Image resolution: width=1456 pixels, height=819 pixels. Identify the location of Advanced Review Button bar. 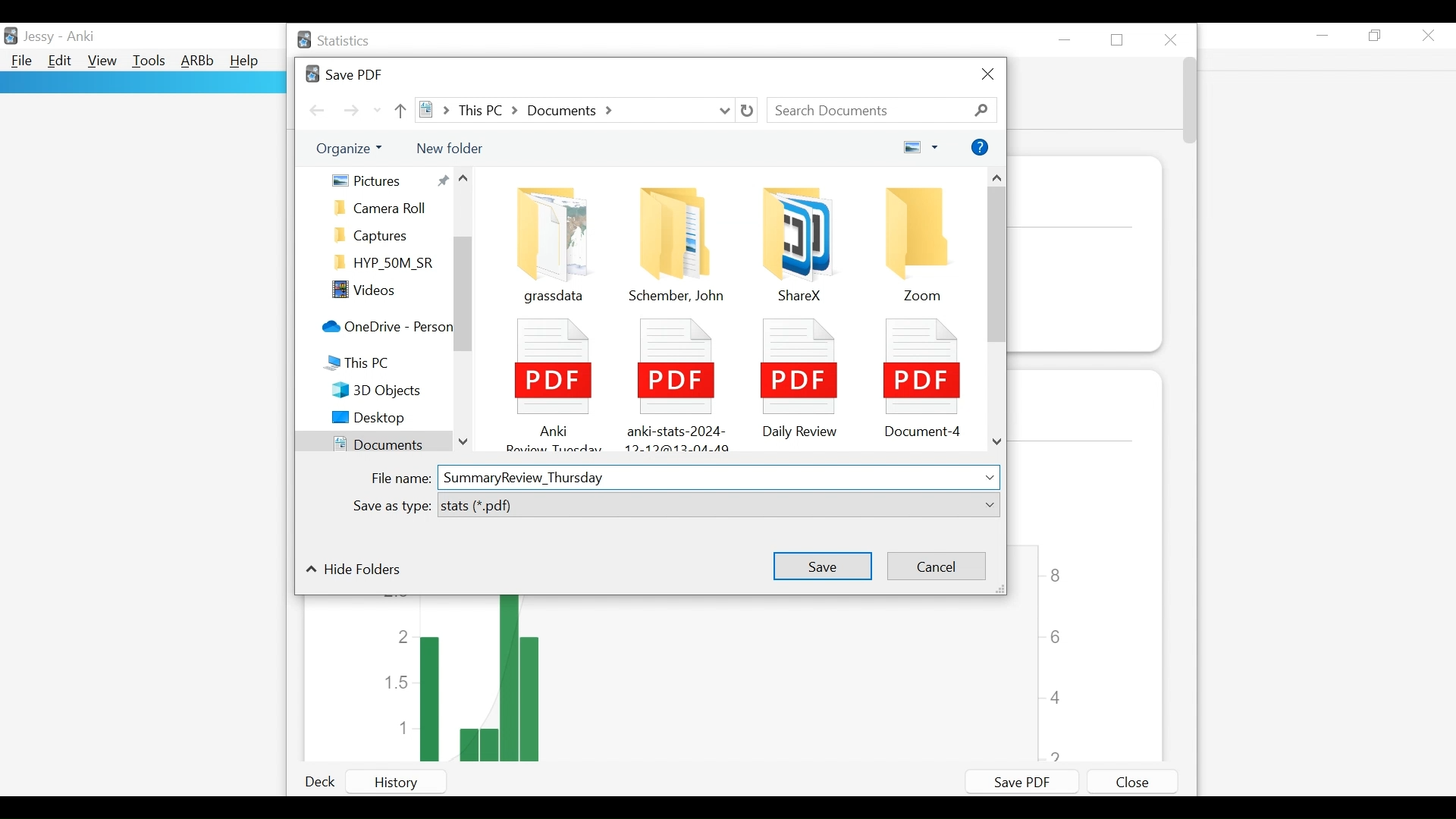
(197, 61).